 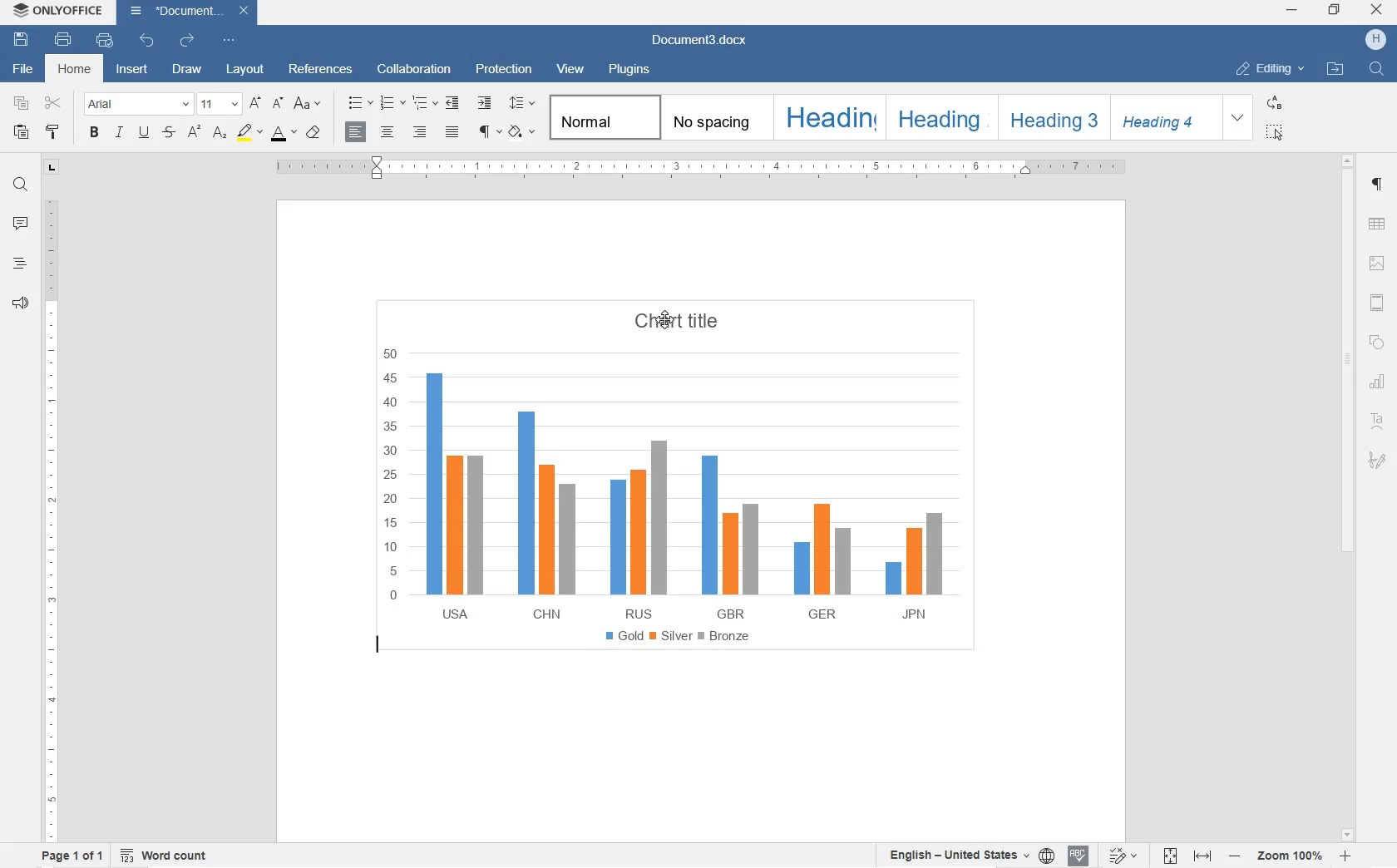 I want to click on DECREASE INDENT, so click(x=451, y=104).